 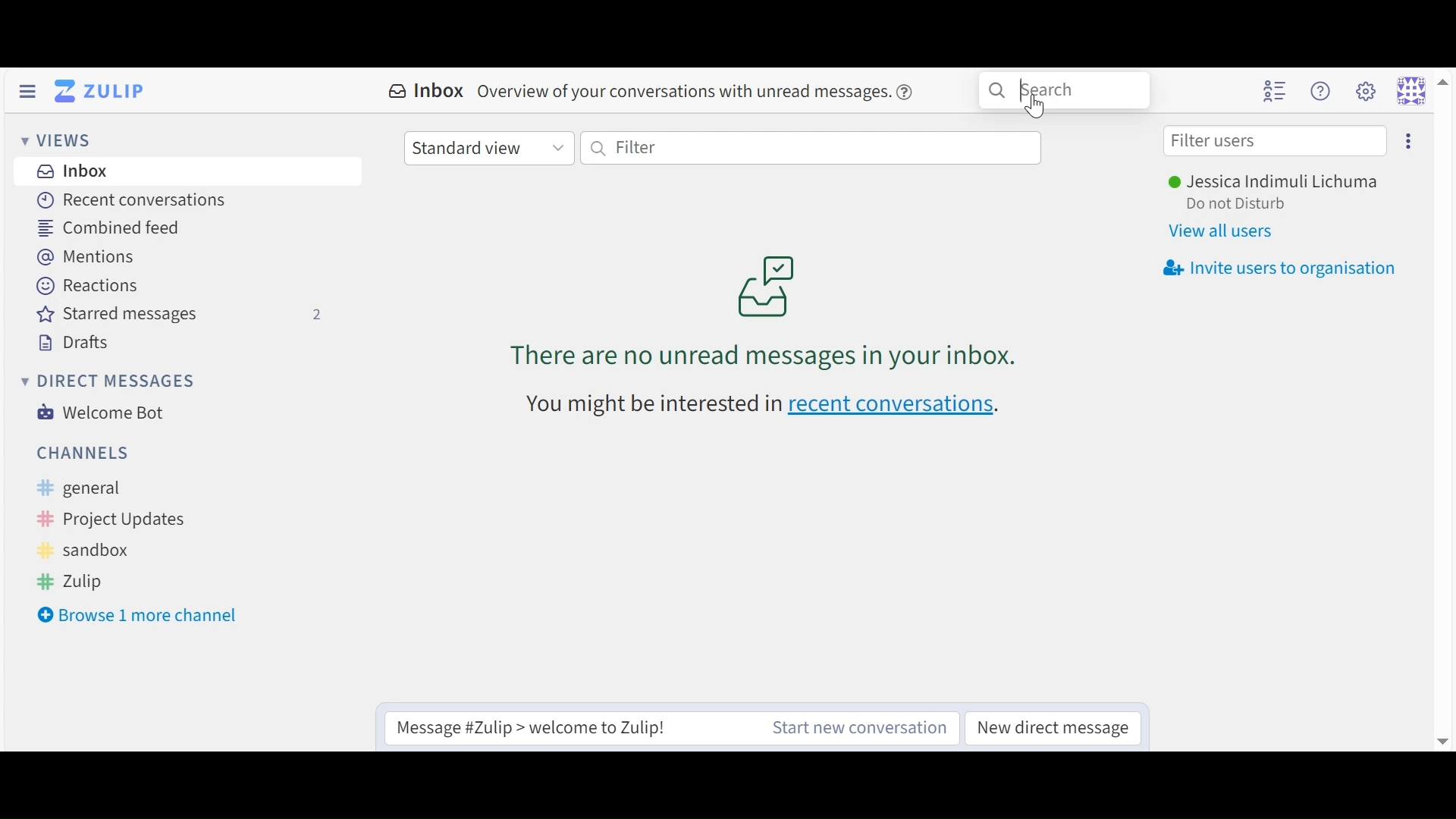 What do you see at coordinates (1363, 91) in the screenshot?
I see `main menu` at bounding box center [1363, 91].